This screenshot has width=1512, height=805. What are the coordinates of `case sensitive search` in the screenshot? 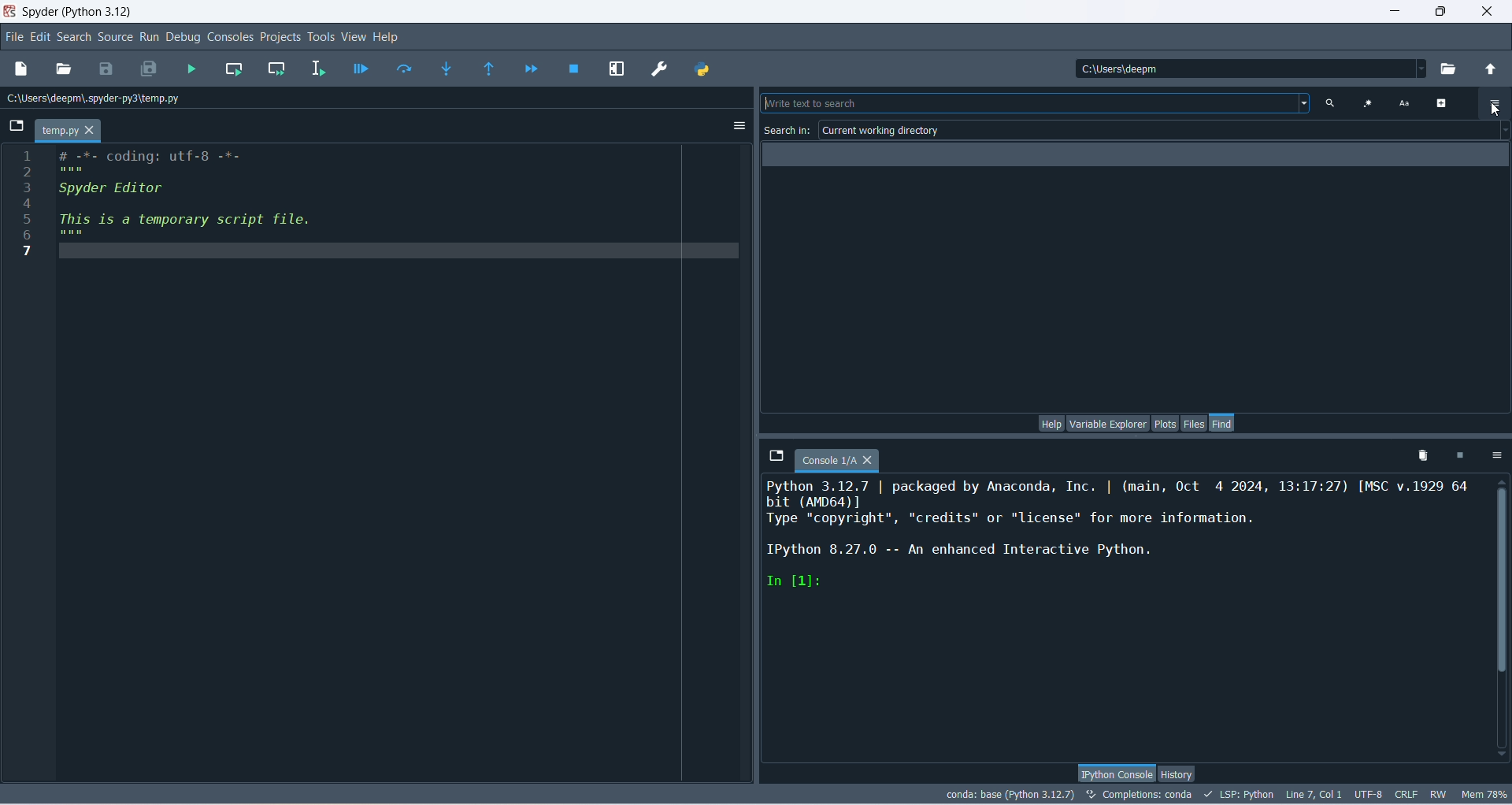 It's located at (1403, 104).